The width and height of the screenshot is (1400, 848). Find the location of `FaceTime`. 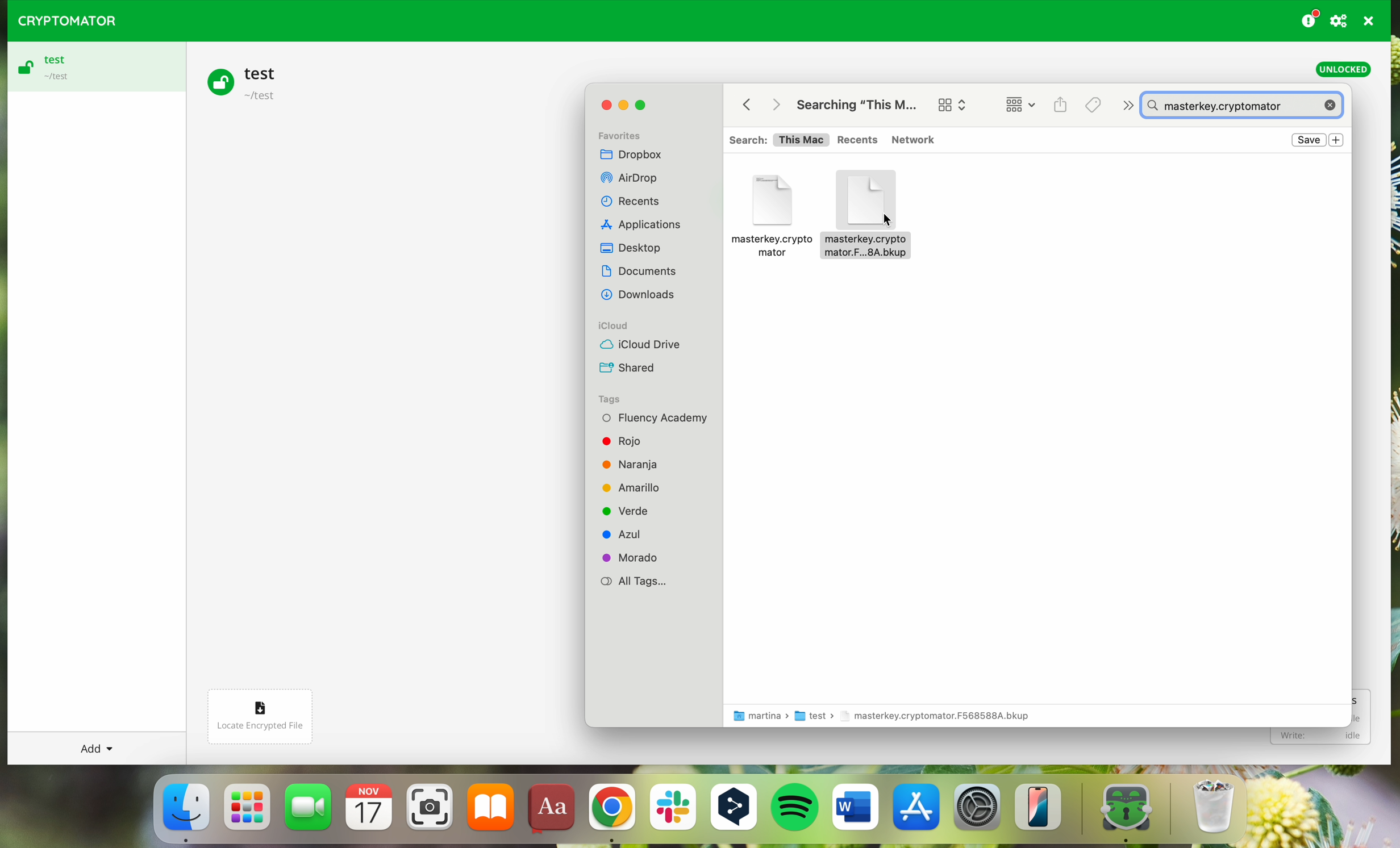

FaceTime is located at coordinates (310, 811).